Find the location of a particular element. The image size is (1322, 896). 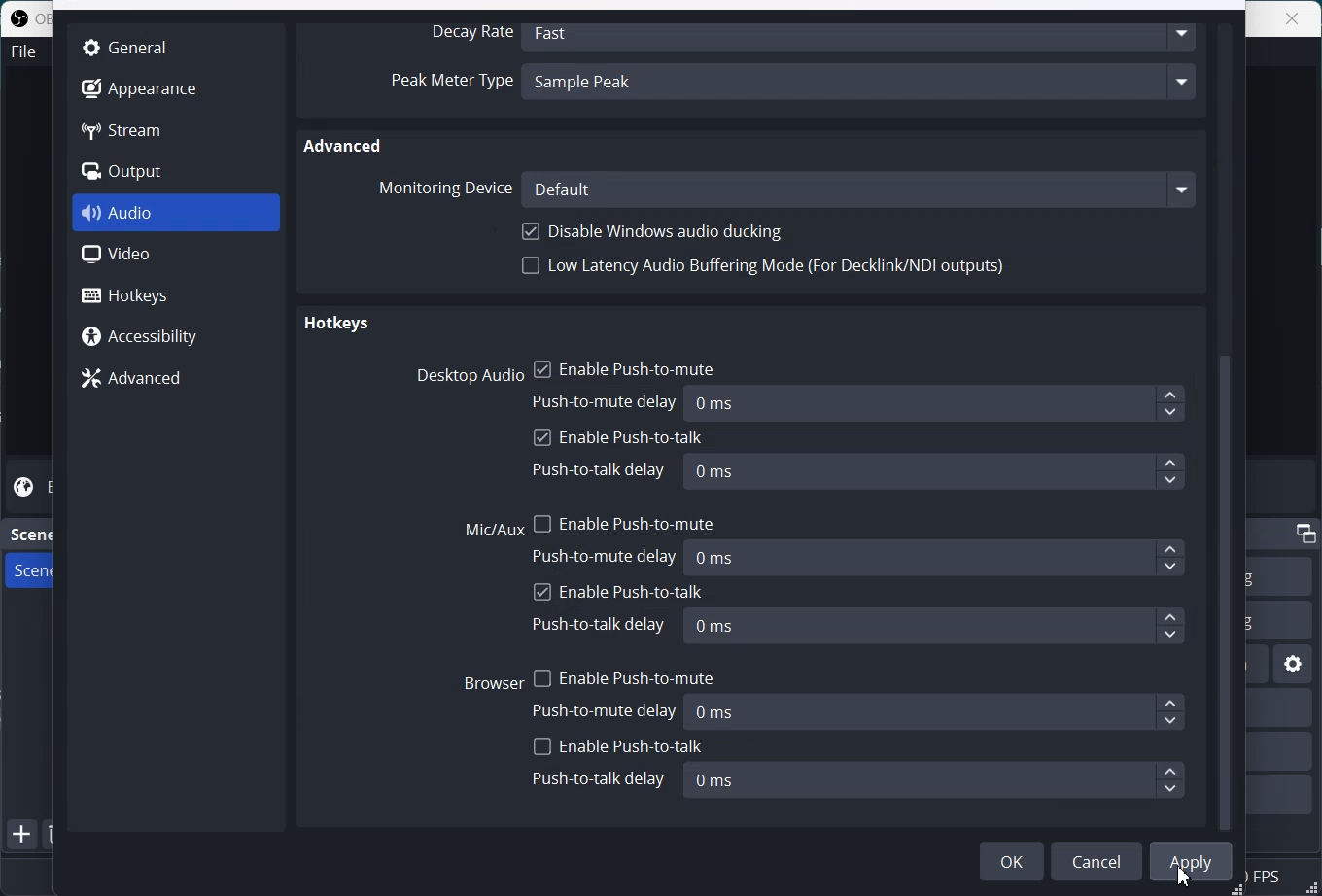

Accessibility is located at coordinates (175, 334).